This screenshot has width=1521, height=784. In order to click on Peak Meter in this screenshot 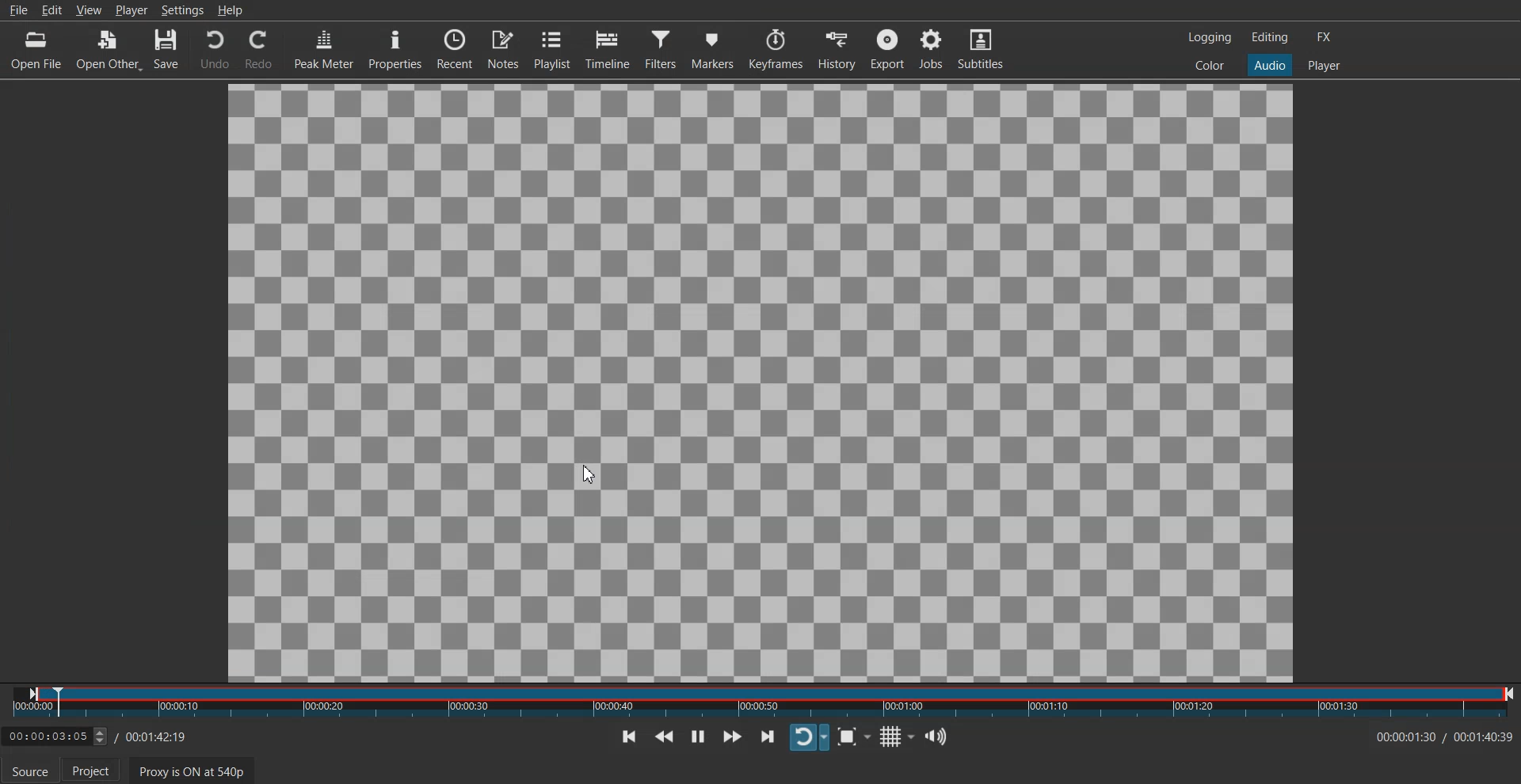, I will do `click(322, 48)`.